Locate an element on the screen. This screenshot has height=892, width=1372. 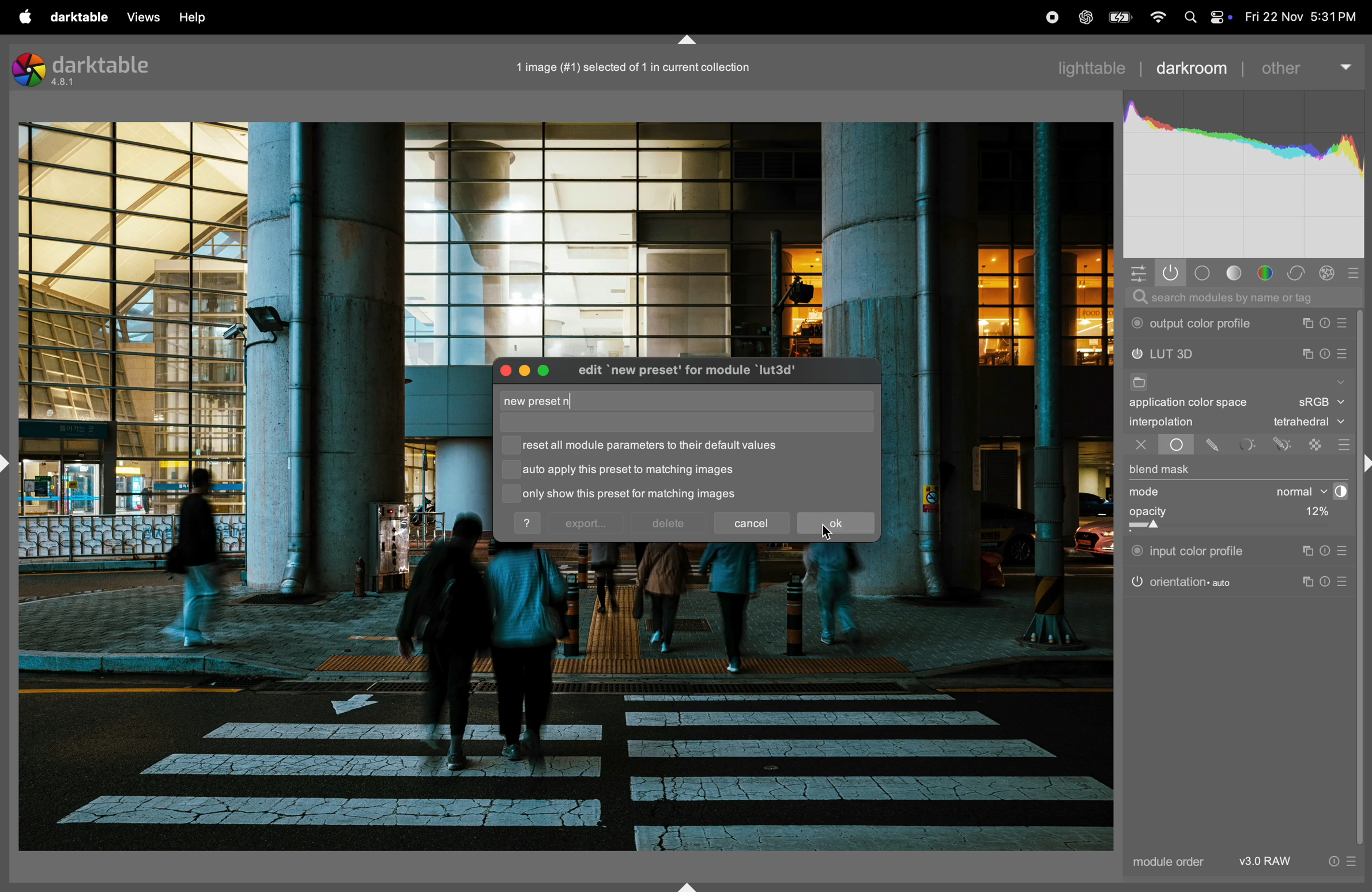
histogram is located at coordinates (1245, 176).